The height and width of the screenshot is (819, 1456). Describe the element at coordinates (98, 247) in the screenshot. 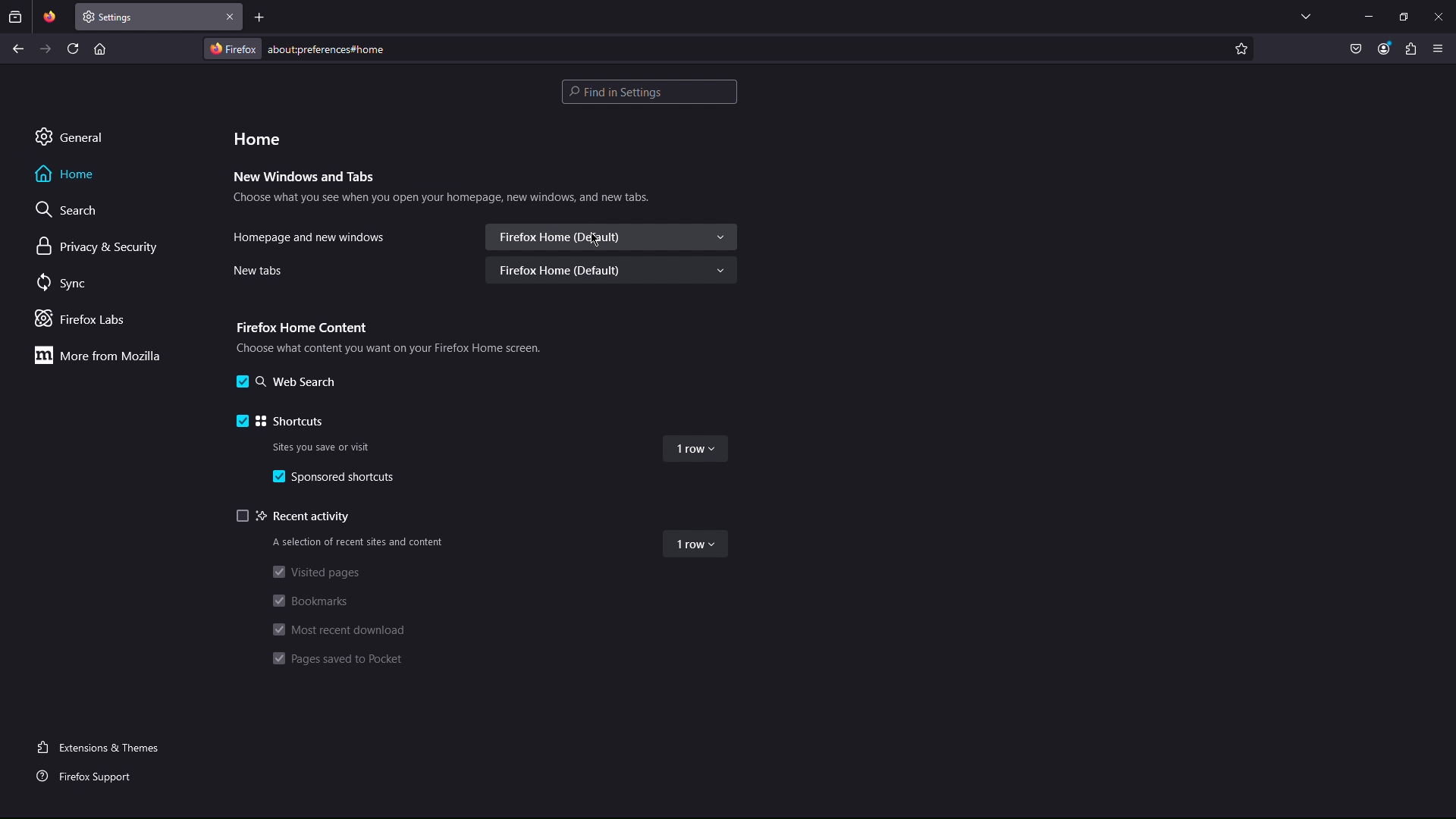

I see `Privacy & Security` at that location.